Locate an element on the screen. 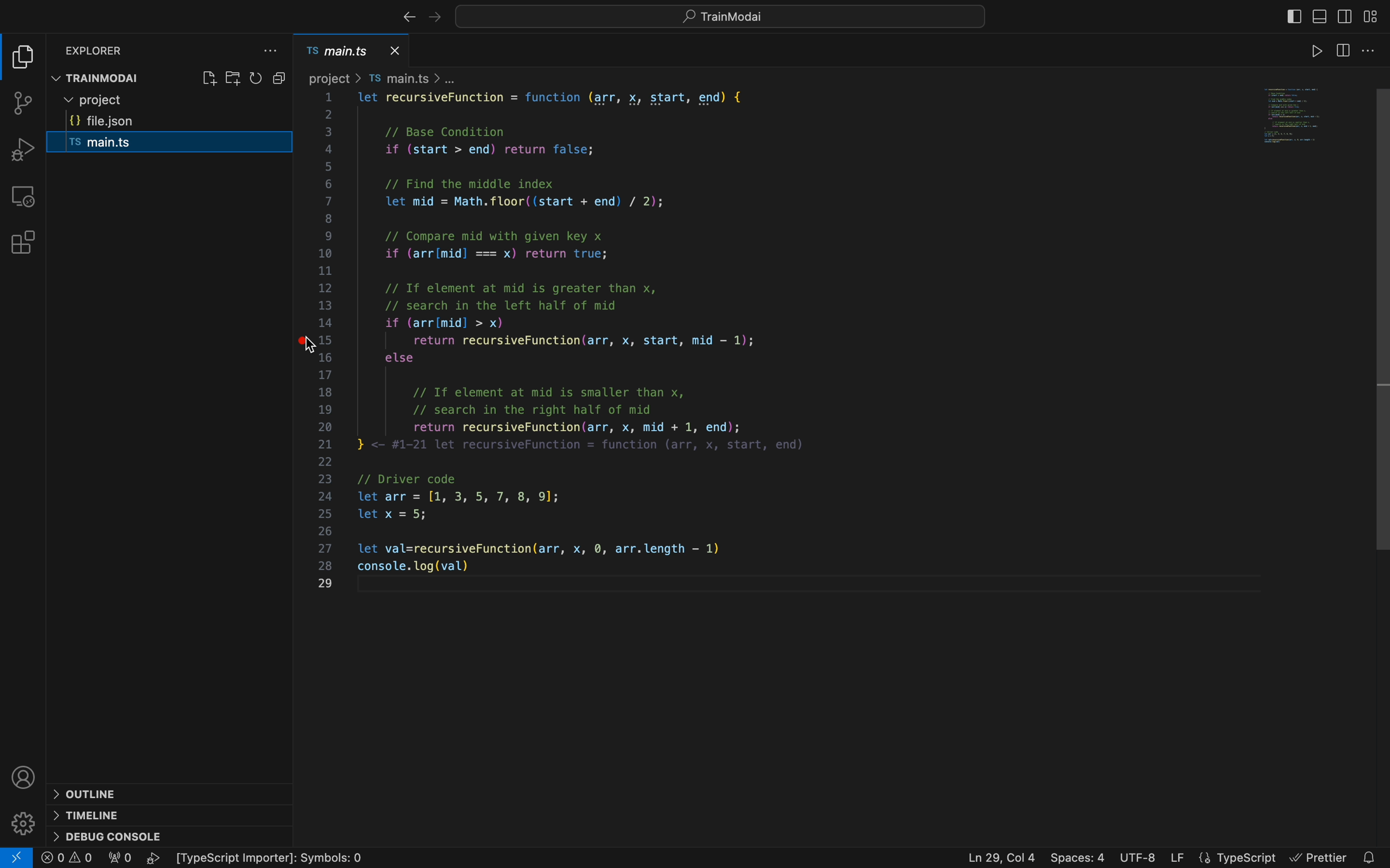  Spaces : 4 is located at coordinates (1080, 858).